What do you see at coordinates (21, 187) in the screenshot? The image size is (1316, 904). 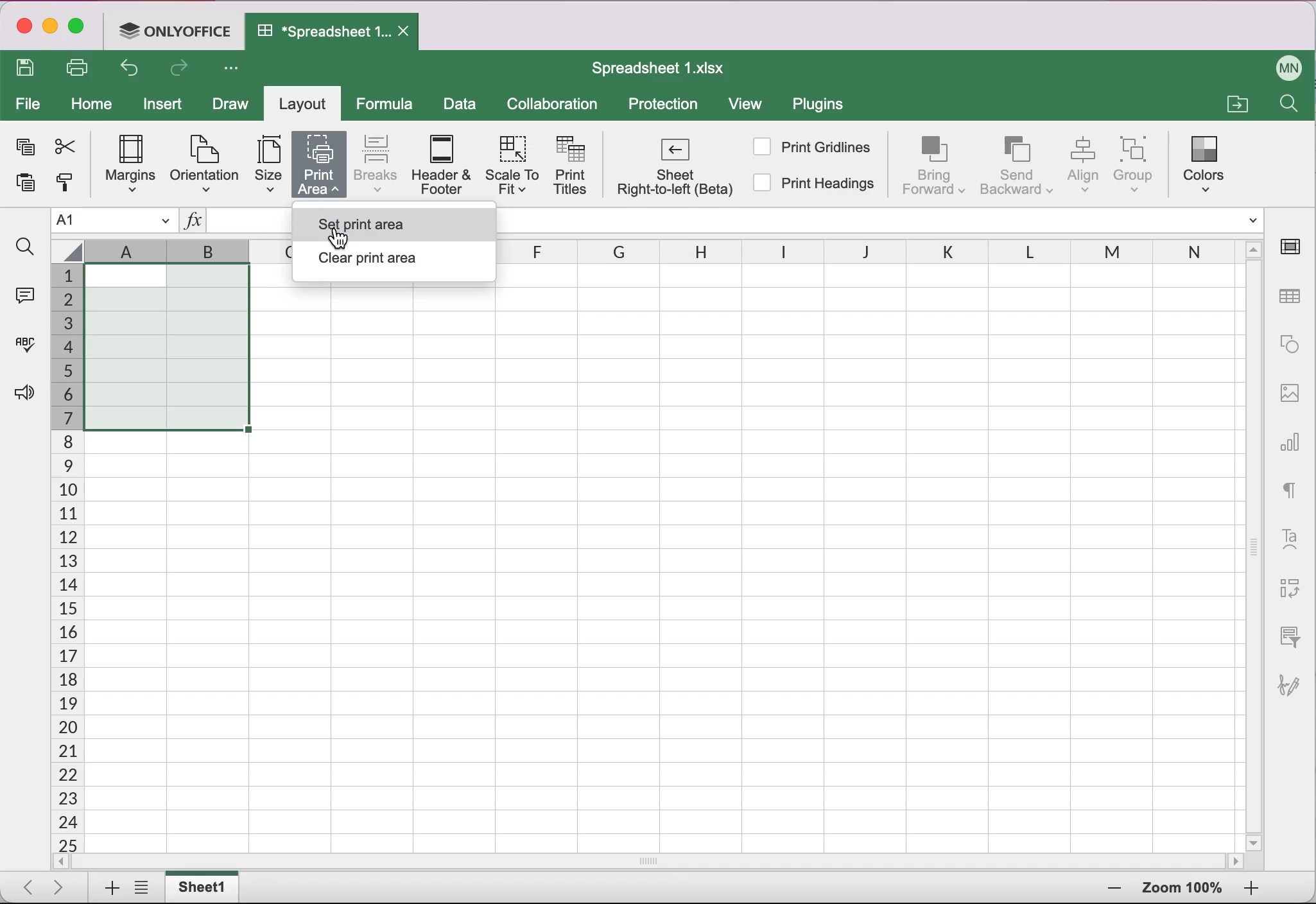 I see `paste` at bounding box center [21, 187].